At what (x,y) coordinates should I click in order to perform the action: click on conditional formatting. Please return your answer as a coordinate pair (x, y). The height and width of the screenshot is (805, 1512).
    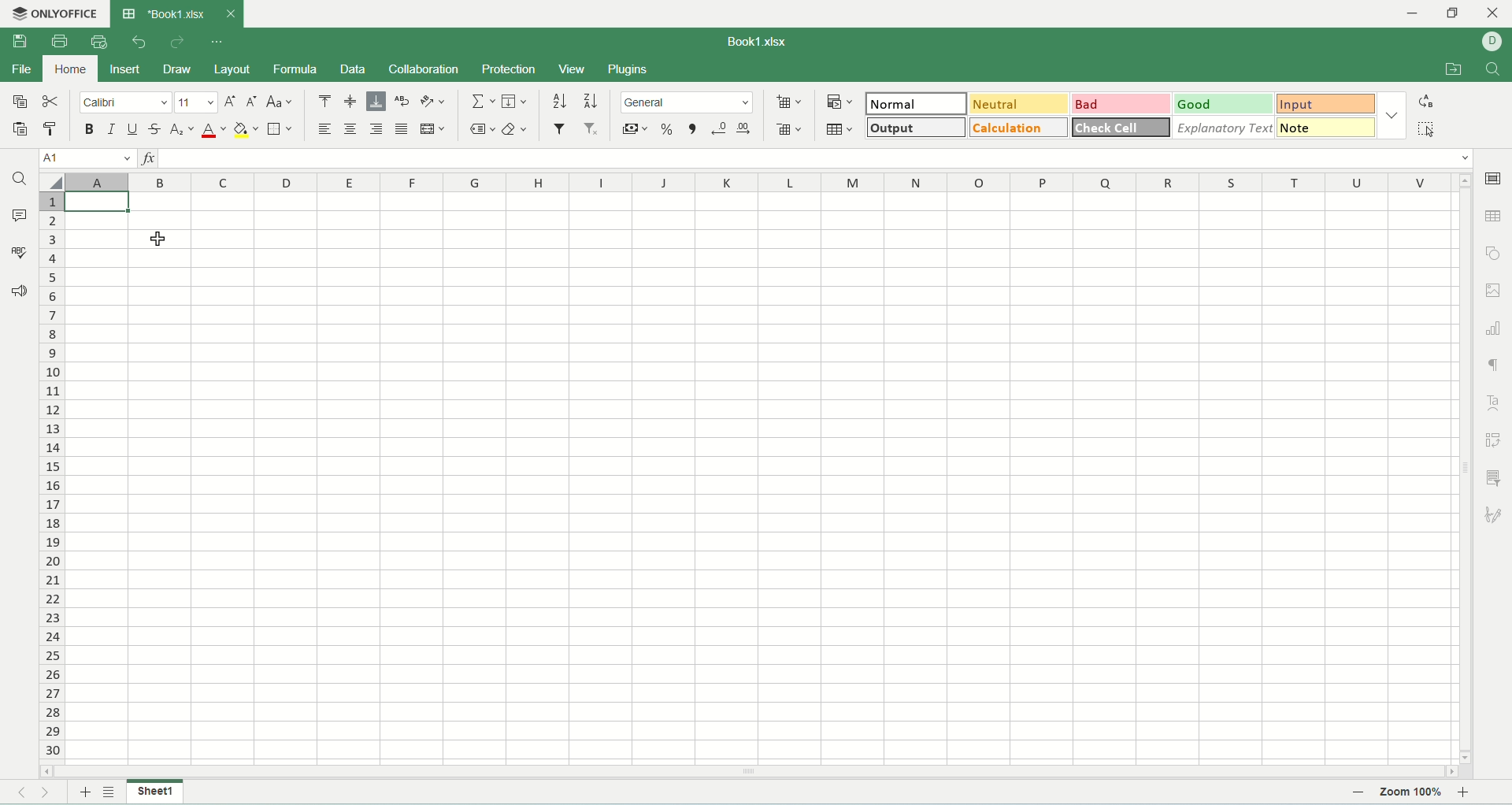
    Looking at the image, I should click on (843, 102).